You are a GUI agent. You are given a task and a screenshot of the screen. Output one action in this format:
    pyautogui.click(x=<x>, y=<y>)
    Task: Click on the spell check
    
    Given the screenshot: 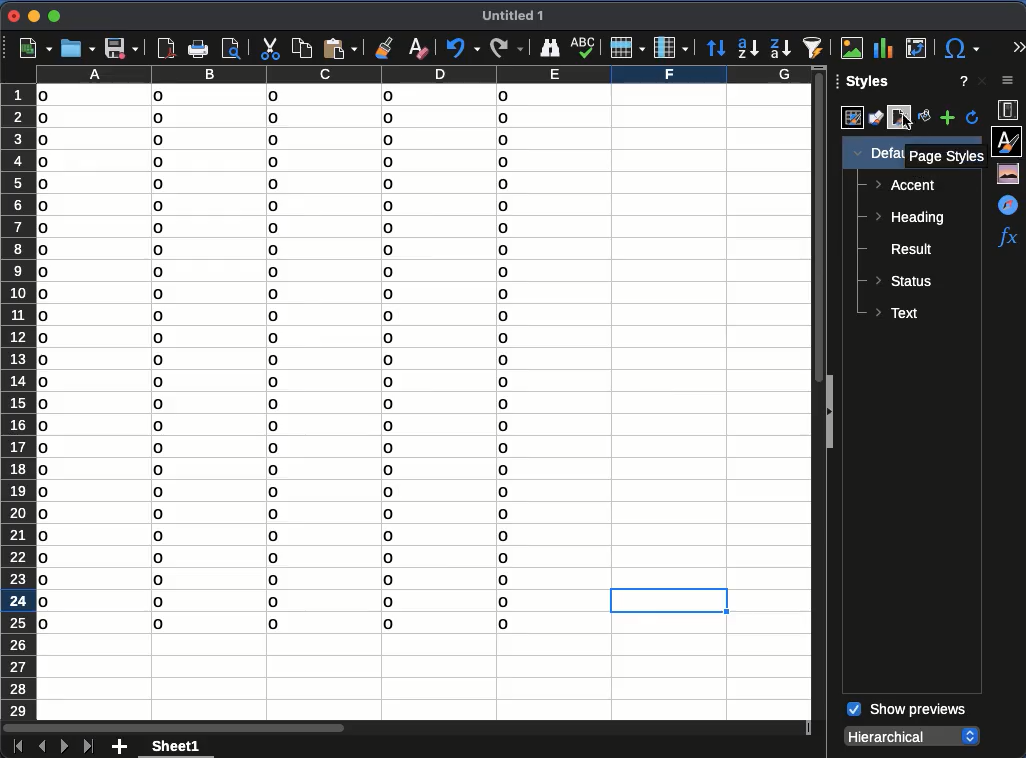 What is the action you would take?
    pyautogui.click(x=583, y=48)
    